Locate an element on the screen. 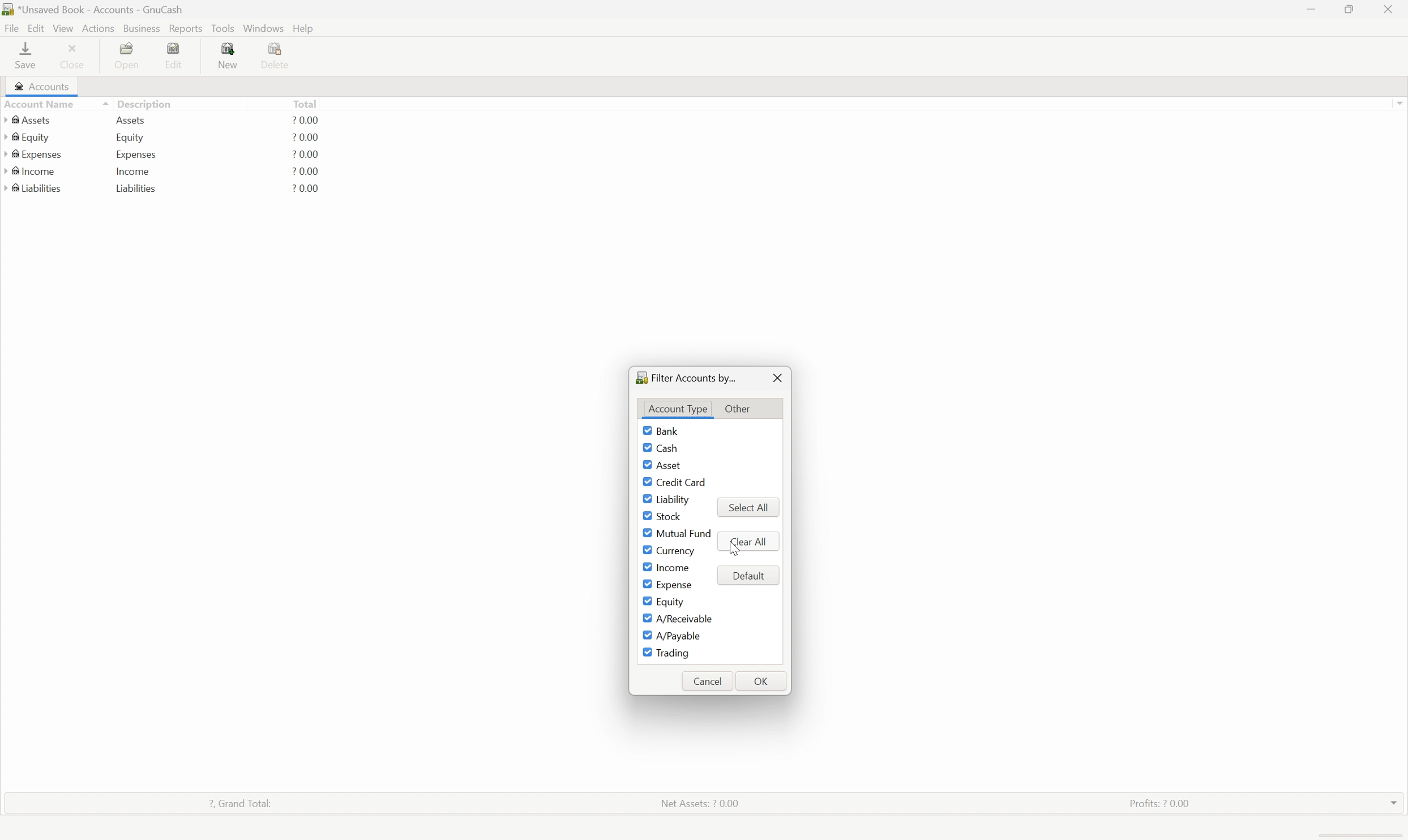 The width and height of the screenshot is (1408, 840). Checkbox is located at coordinates (641, 500).